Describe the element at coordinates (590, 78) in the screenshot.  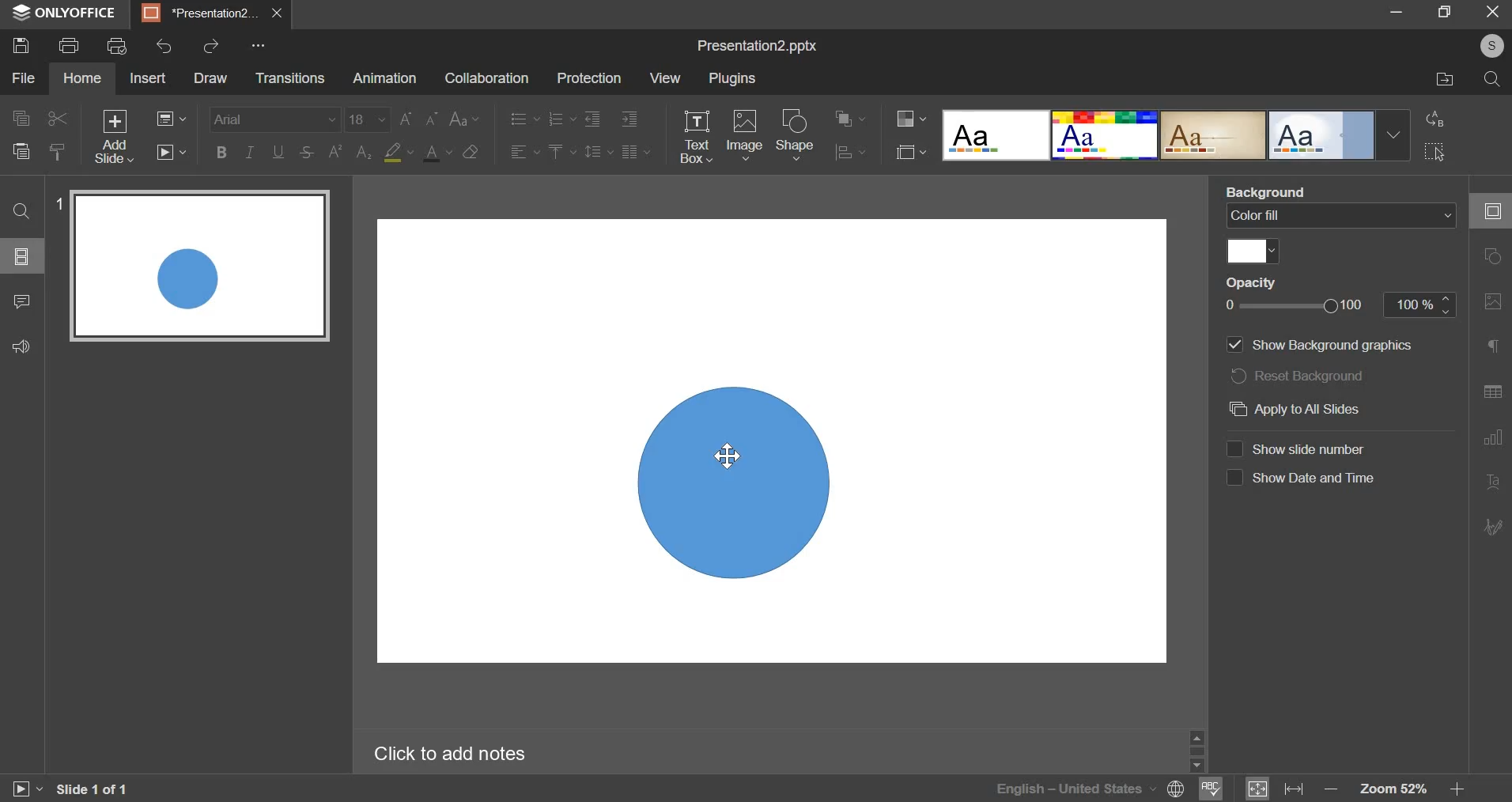
I see `protection` at that location.